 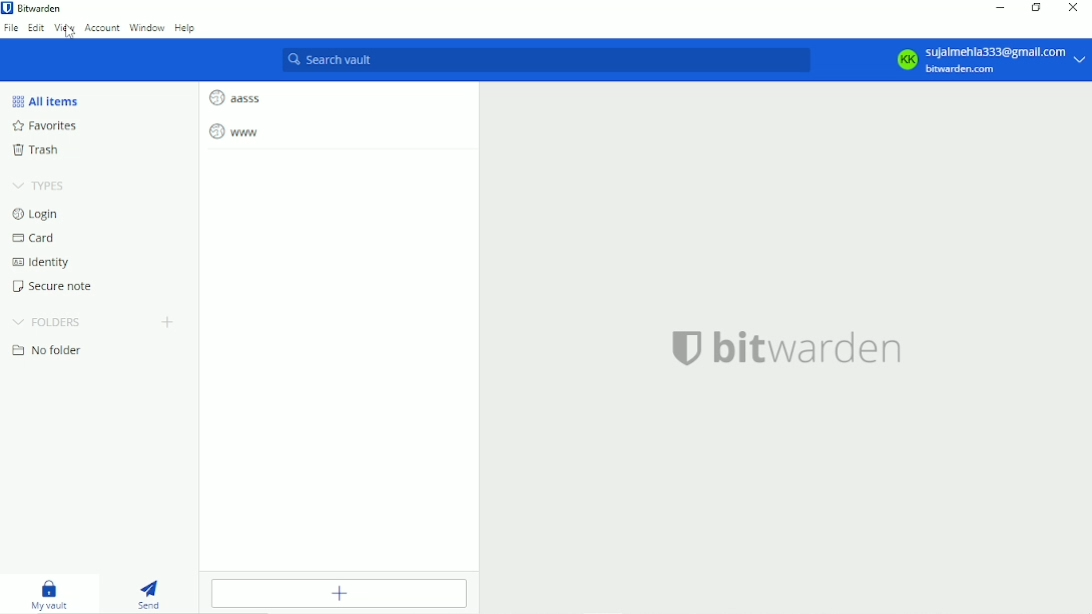 I want to click on View, so click(x=64, y=26).